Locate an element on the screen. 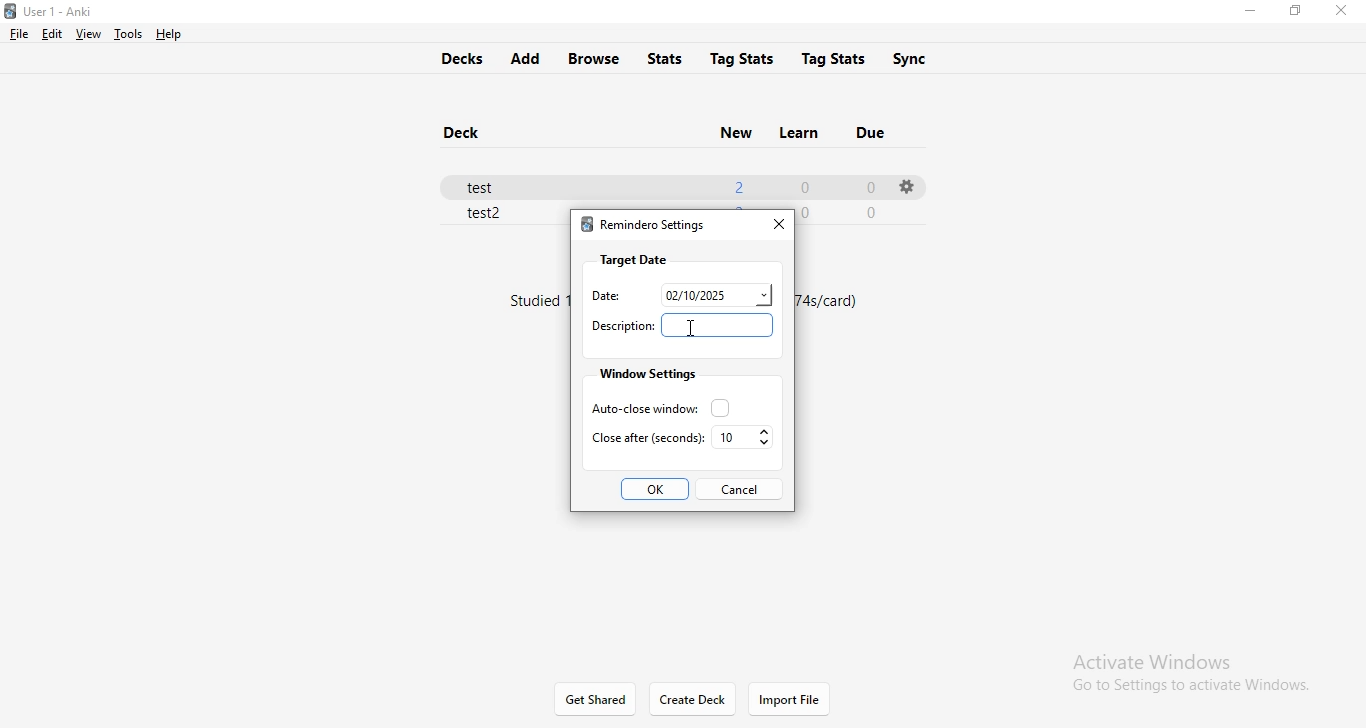  settings is located at coordinates (905, 186).